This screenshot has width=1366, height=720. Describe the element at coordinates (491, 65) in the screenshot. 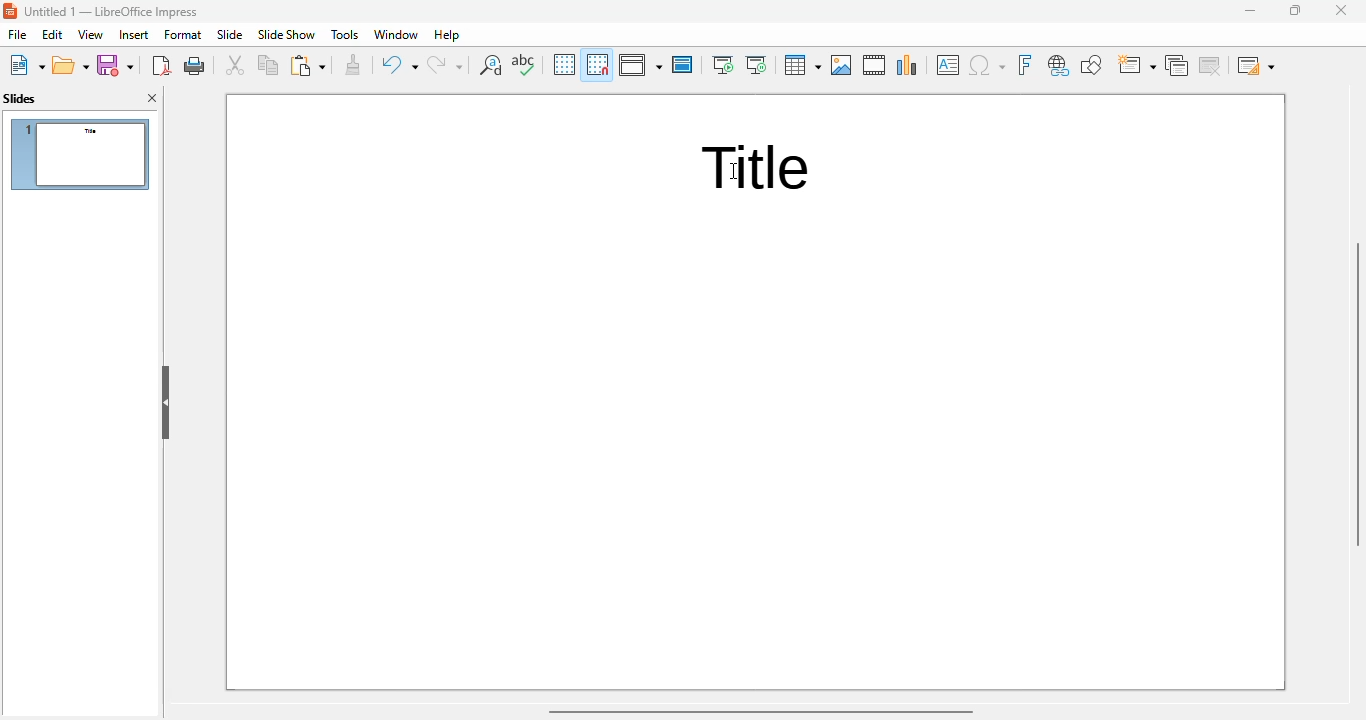

I see `find and replace` at that location.